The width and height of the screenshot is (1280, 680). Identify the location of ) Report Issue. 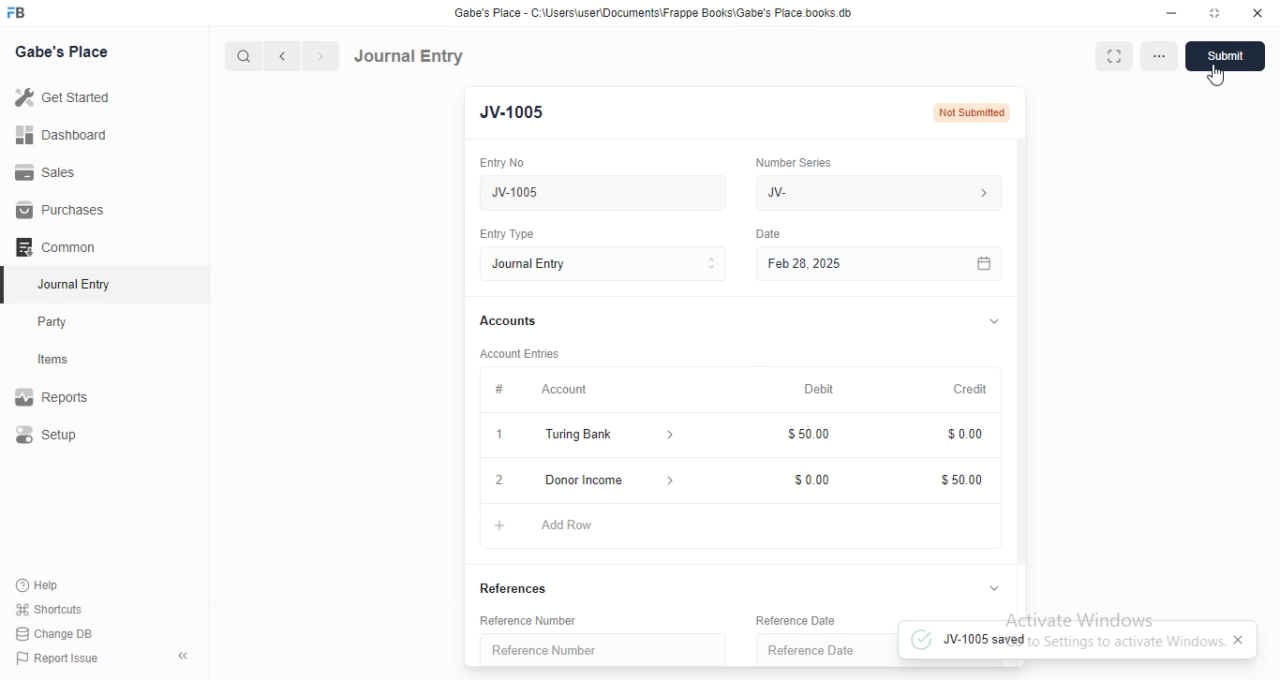
(59, 659).